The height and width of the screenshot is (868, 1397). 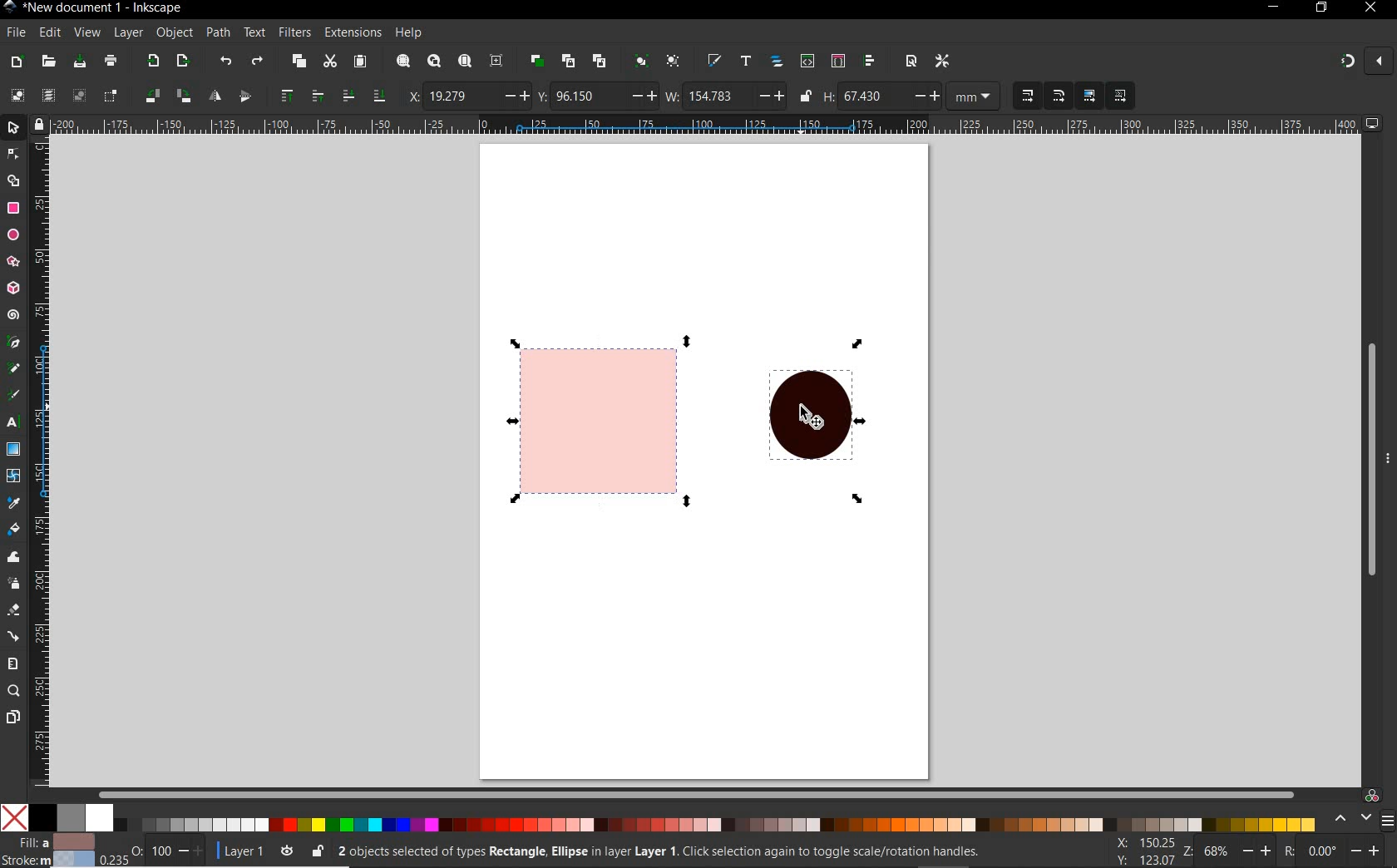 I want to click on create clone, so click(x=569, y=61).